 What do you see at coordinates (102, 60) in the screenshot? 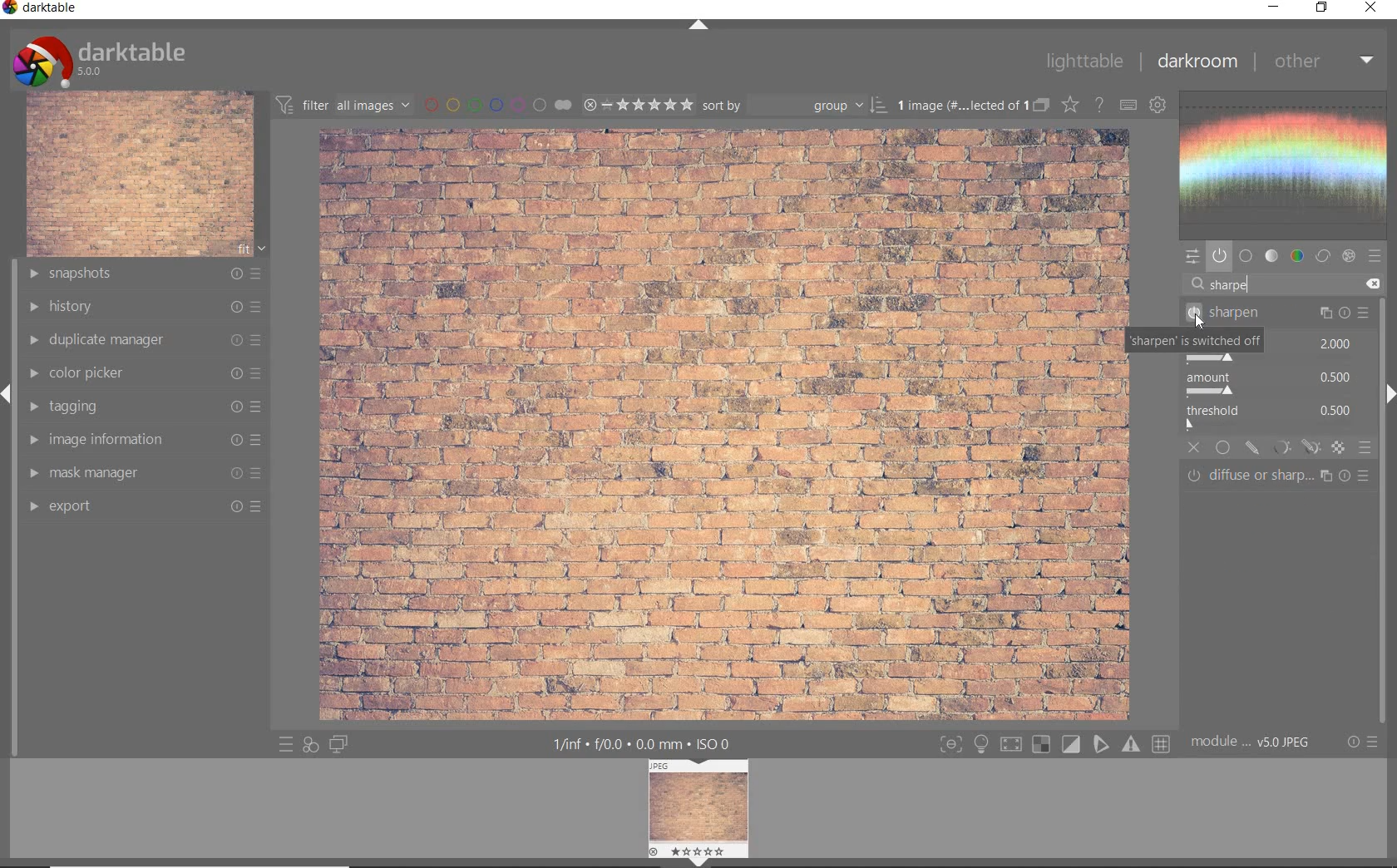
I see `darktable 5.0.0` at bounding box center [102, 60].